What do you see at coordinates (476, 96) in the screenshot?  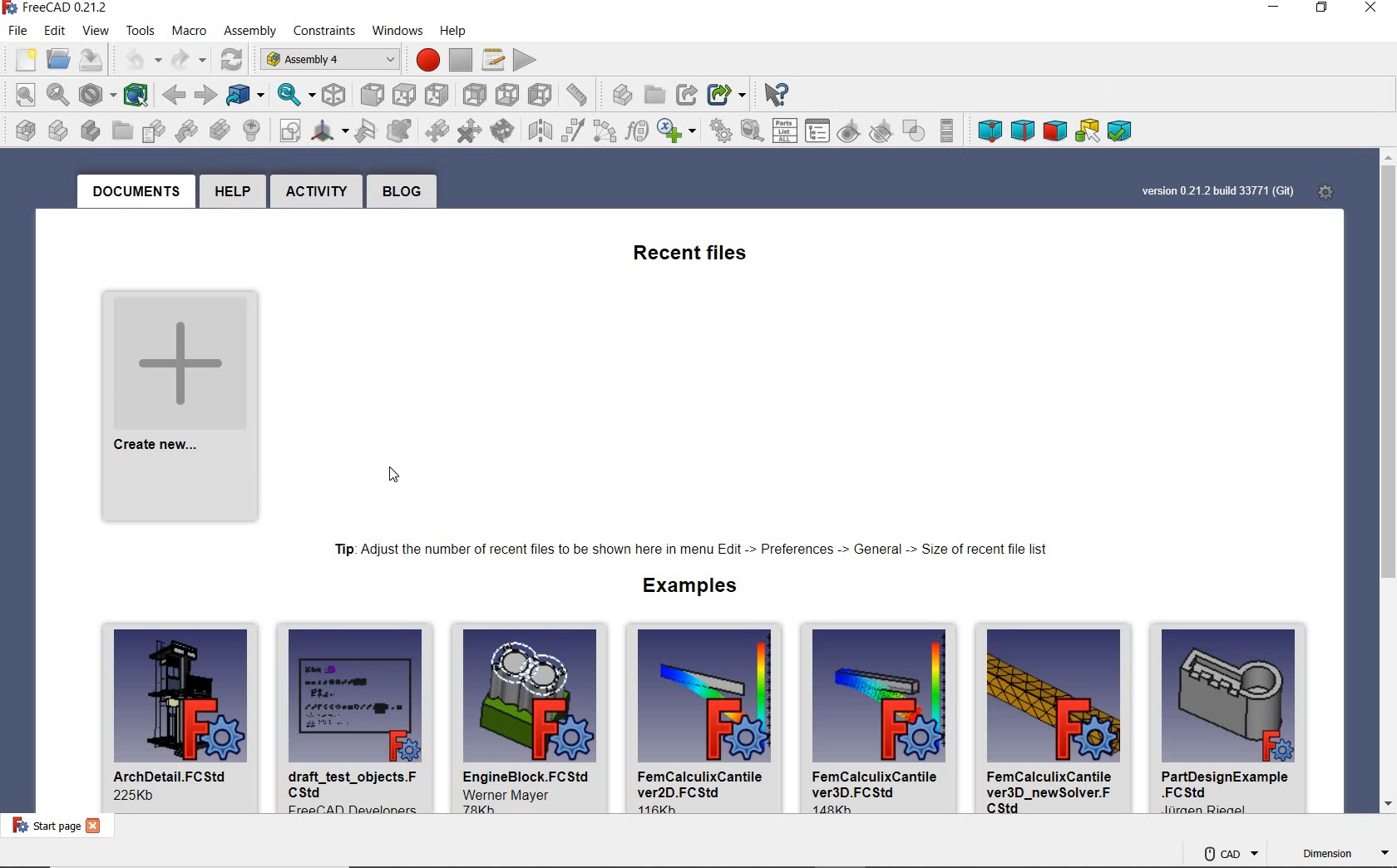 I see `rear` at bounding box center [476, 96].